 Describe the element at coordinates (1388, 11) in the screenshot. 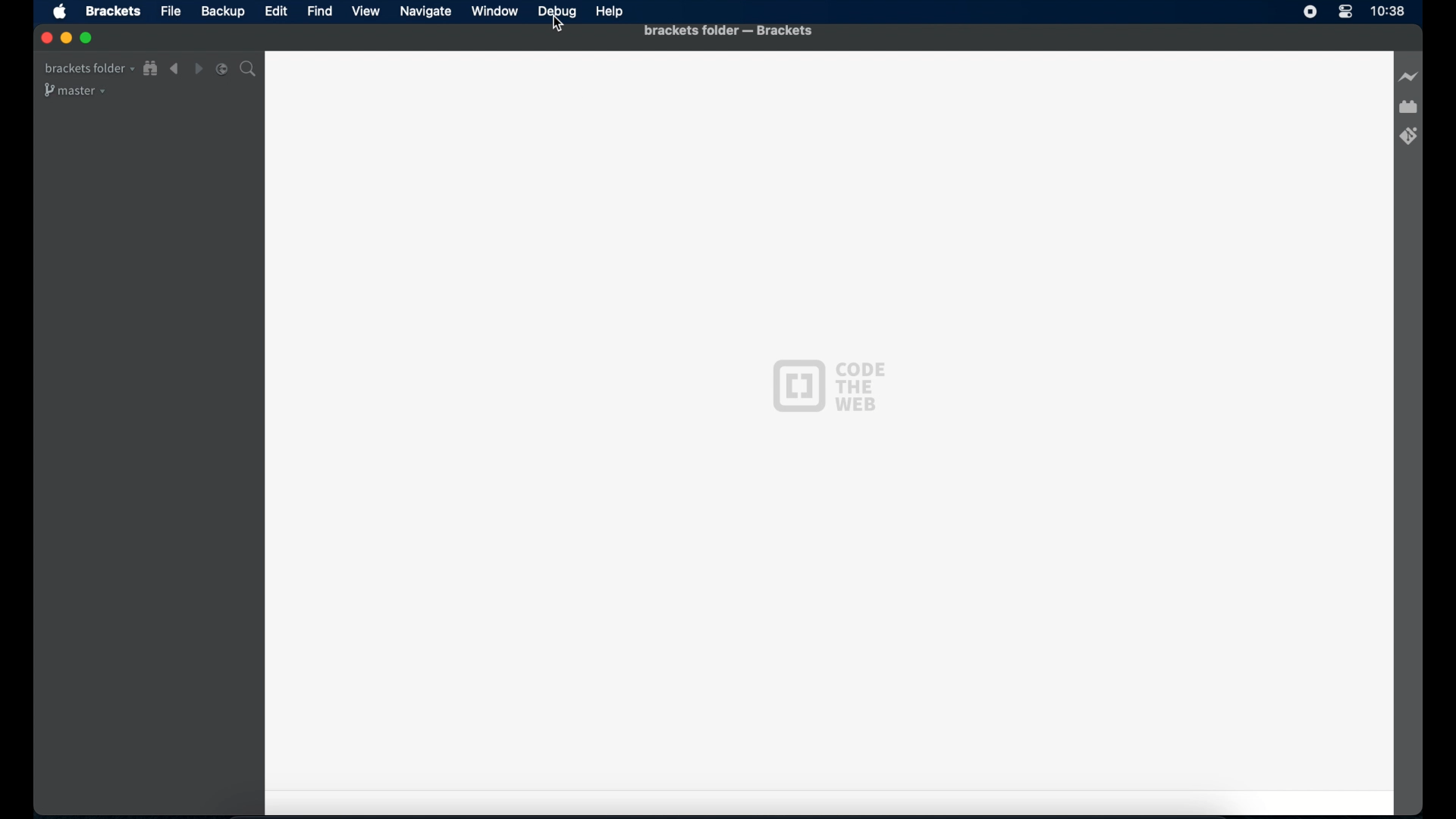

I see `time` at that location.